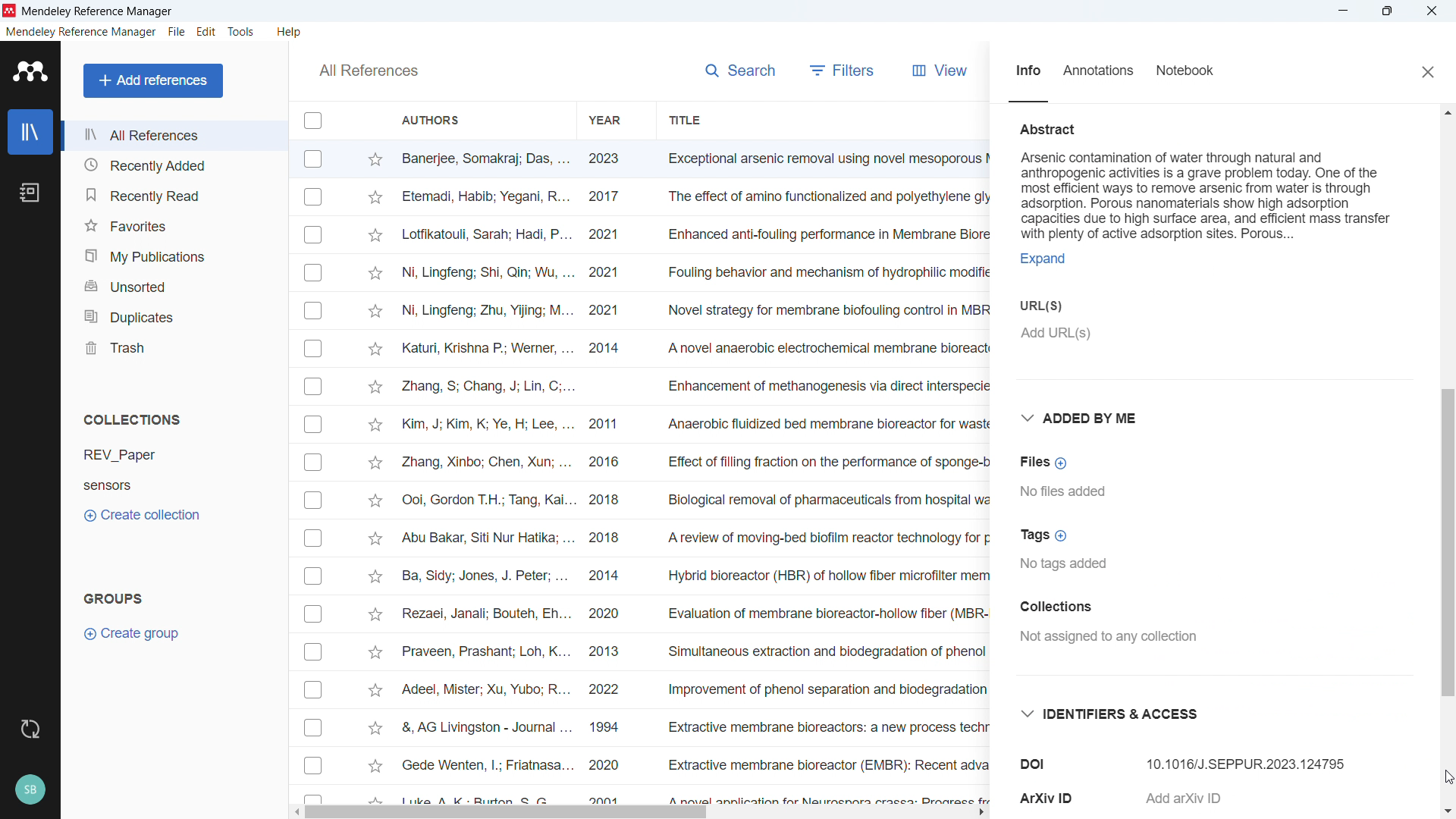 This screenshot has height=819, width=1456. What do you see at coordinates (1197, 72) in the screenshot?
I see `notebook` at bounding box center [1197, 72].